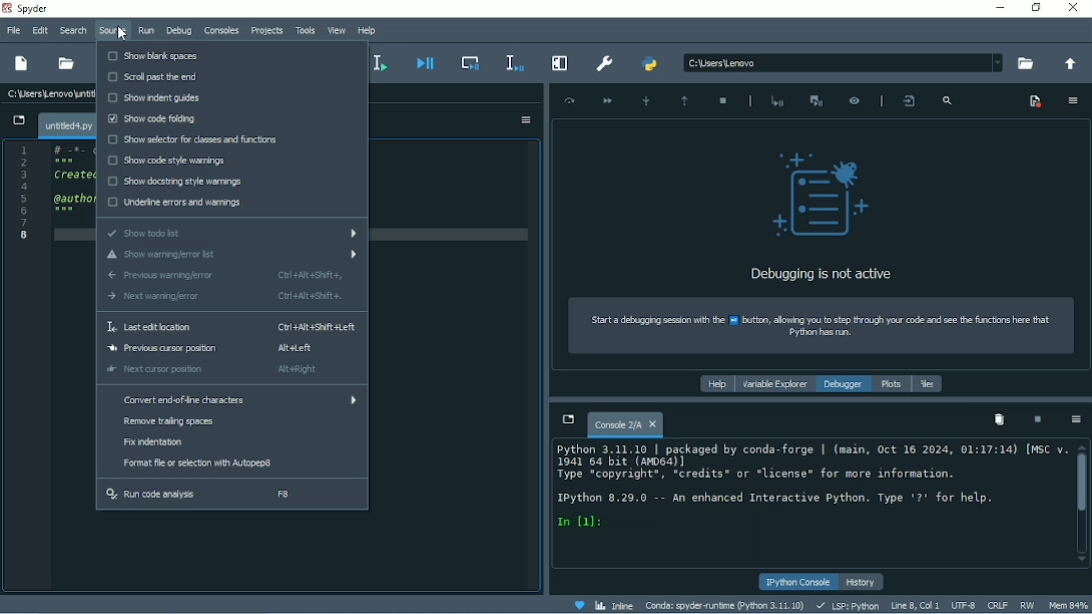 The width and height of the screenshot is (1092, 614). Describe the element at coordinates (807, 487) in the screenshot. I see `ipython console pane Text` at that location.